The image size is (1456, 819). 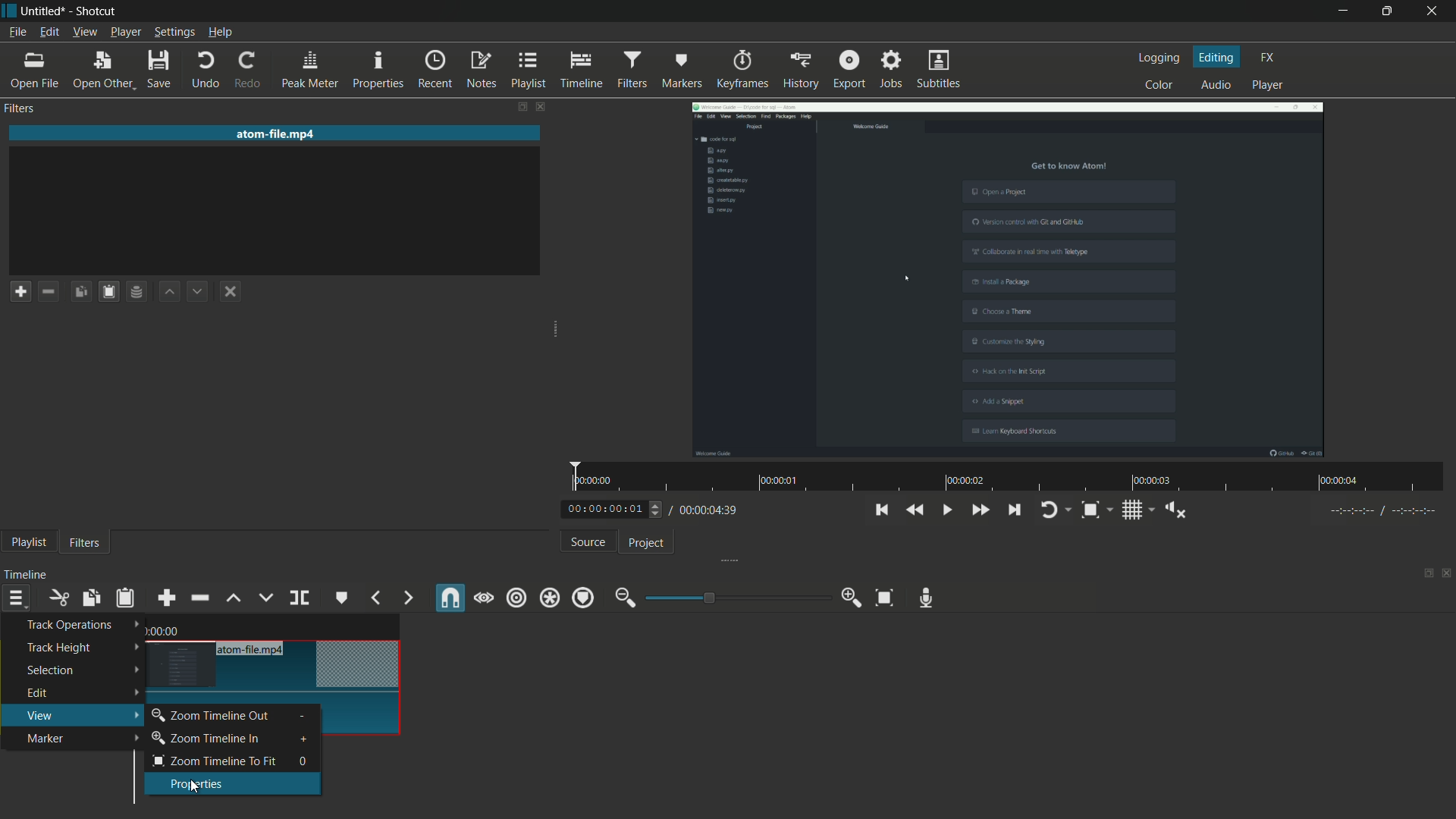 I want to click on append, so click(x=166, y=598).